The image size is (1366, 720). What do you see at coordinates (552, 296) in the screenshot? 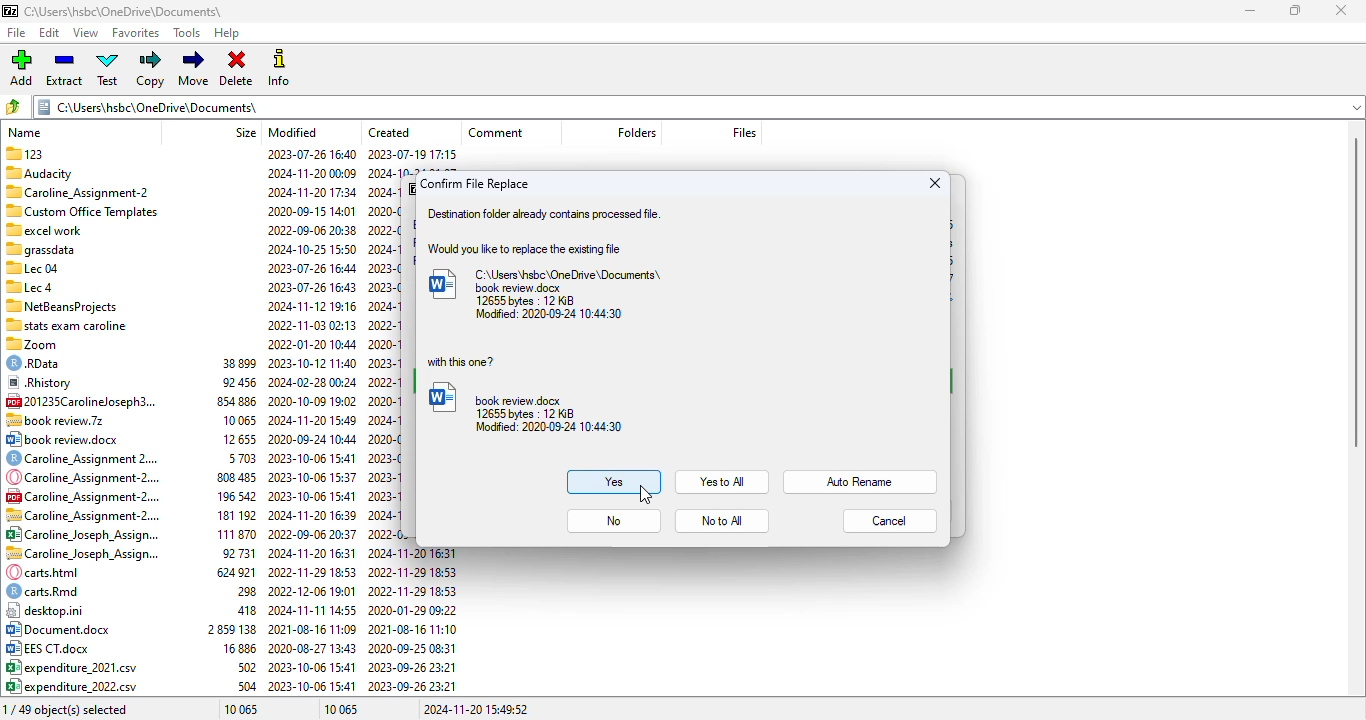
I see `C:\Users\hsbc\OneDrive\Documents\book review.docx` at bounding box center [552, 296].